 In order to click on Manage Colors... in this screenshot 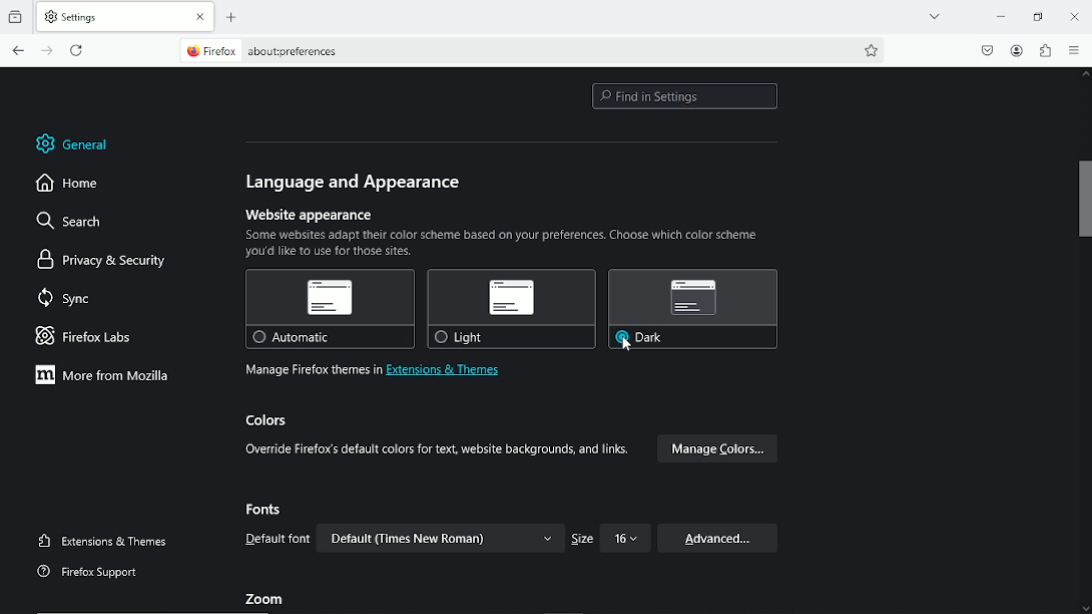, I will do `click(716, 449)`.